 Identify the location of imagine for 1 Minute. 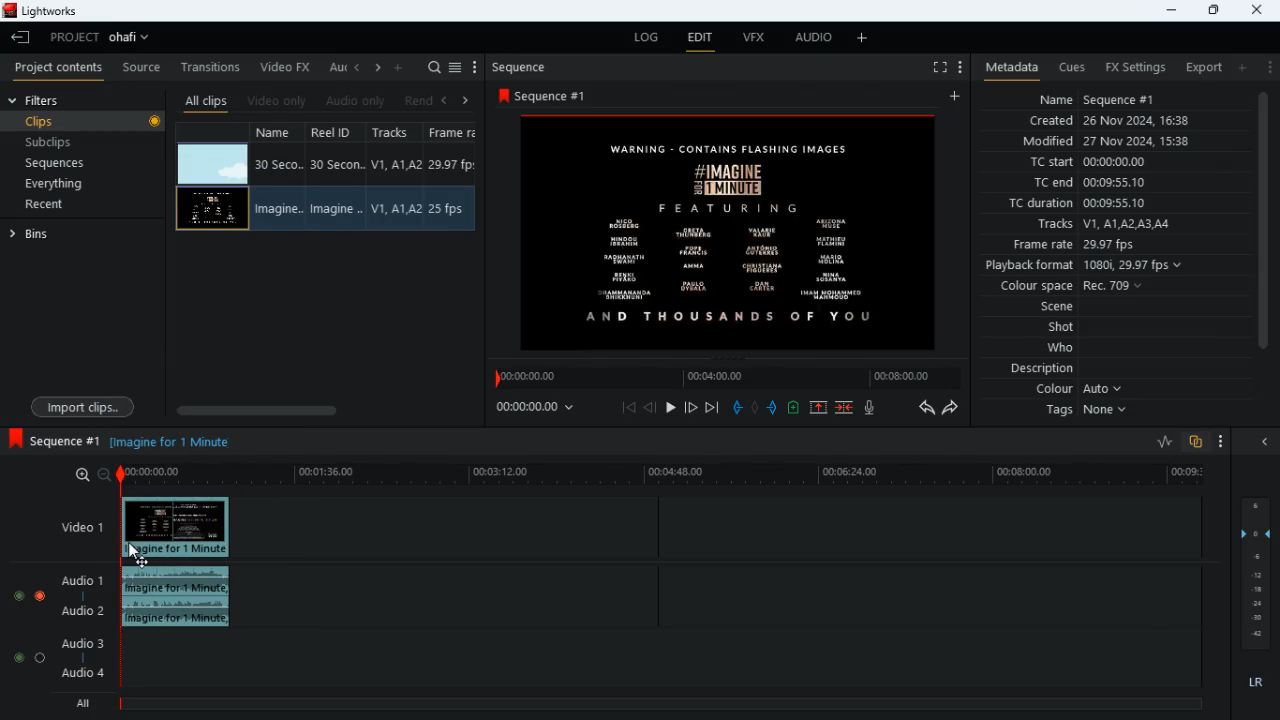
(172, 442).